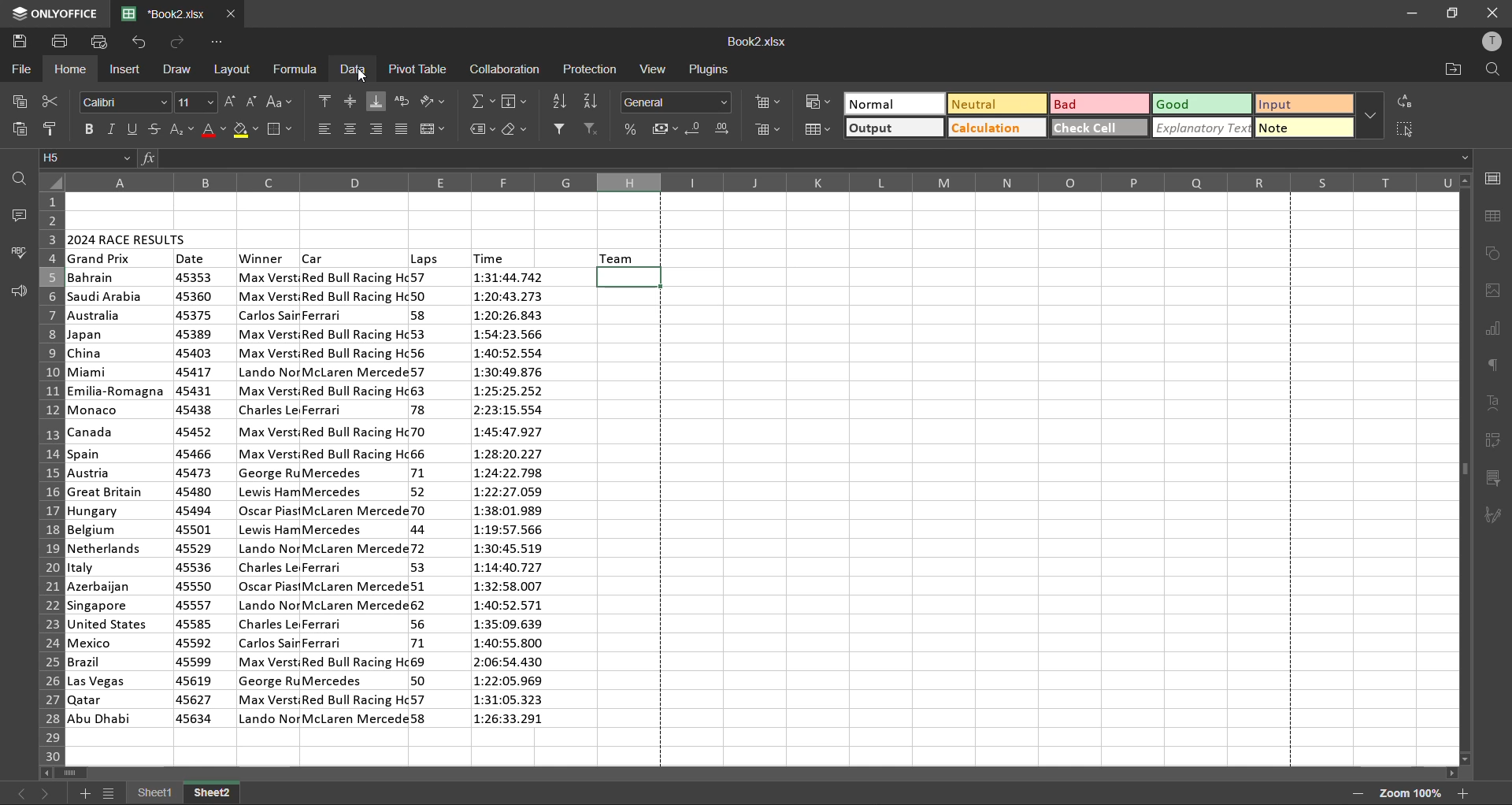 The image size is (1512, 805). Describe the element at coordinates (1496, 516) in the screenshot. I see `signature` at that location.